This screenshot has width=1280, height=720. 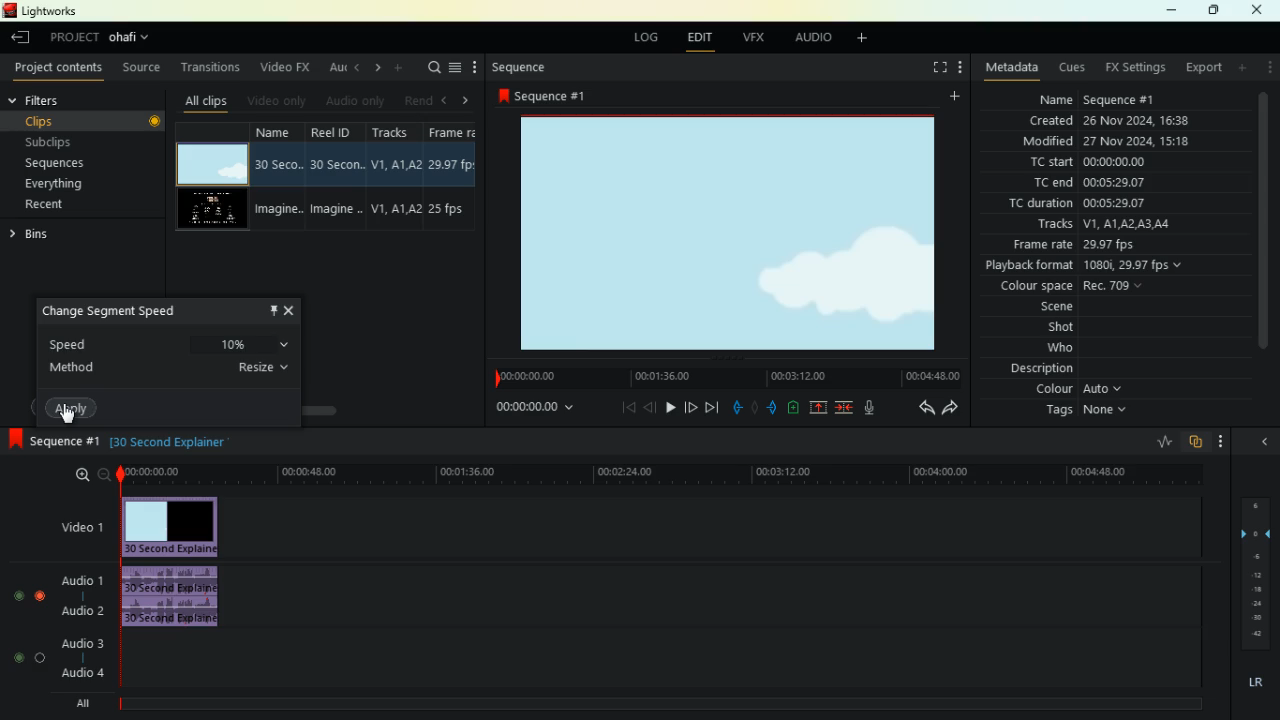 I want to click on button, so click(x=154, y=121).